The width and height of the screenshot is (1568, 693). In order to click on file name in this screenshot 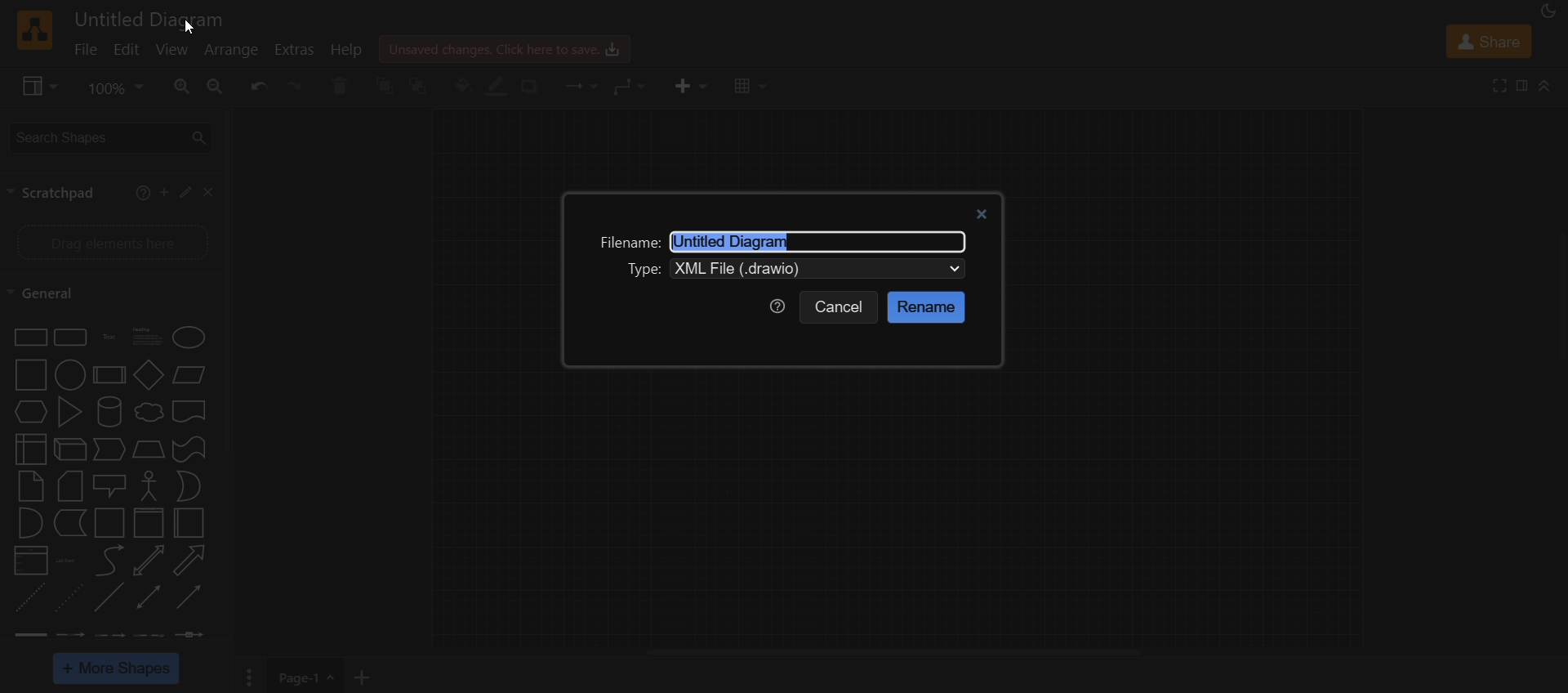, I will do `click(627, 243)`.